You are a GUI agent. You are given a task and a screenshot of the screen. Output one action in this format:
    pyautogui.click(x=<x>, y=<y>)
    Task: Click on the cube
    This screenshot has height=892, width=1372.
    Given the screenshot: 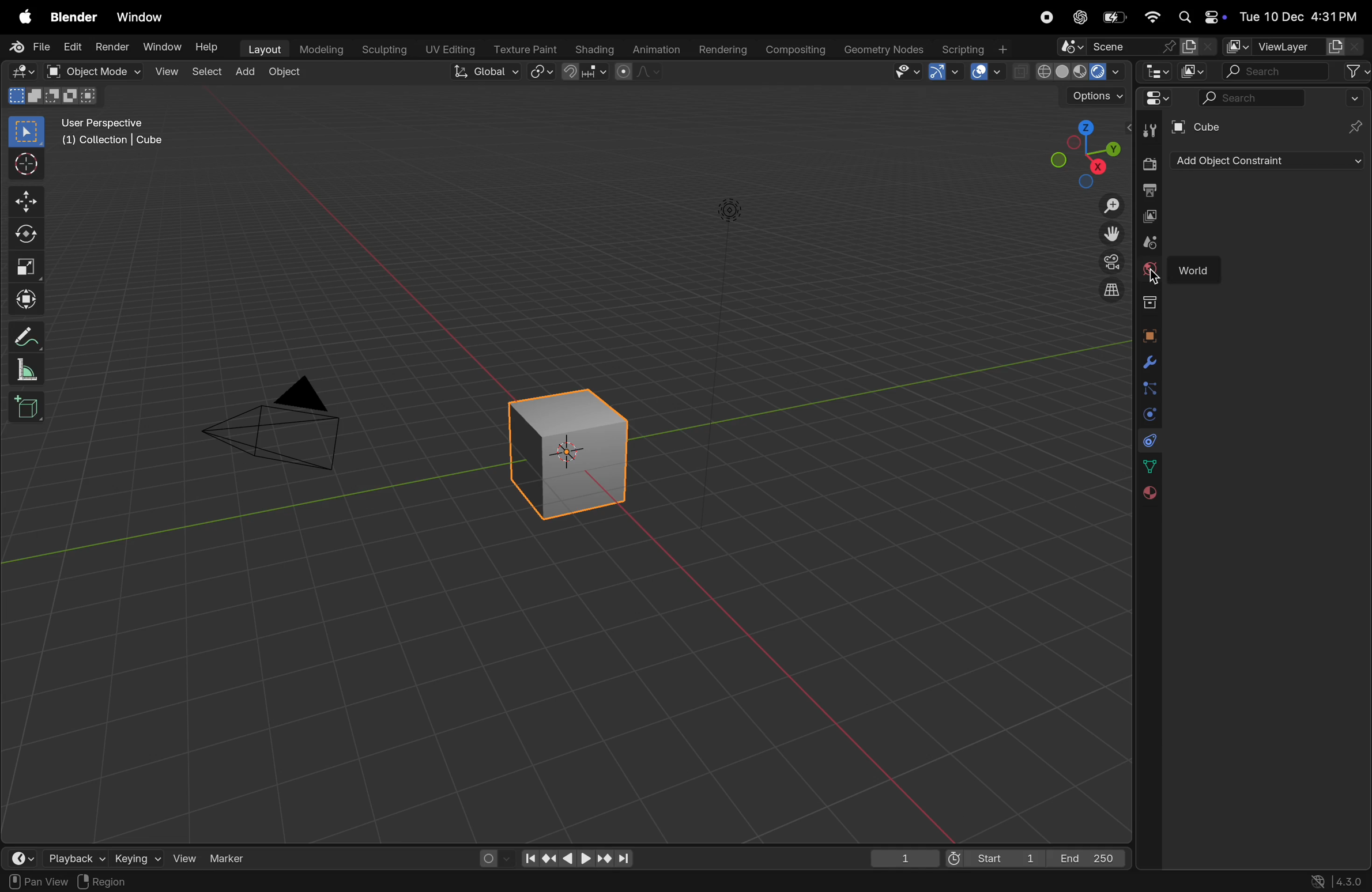 What is the action you would take?
    pyautogui.click(x=1200, y=128)
    